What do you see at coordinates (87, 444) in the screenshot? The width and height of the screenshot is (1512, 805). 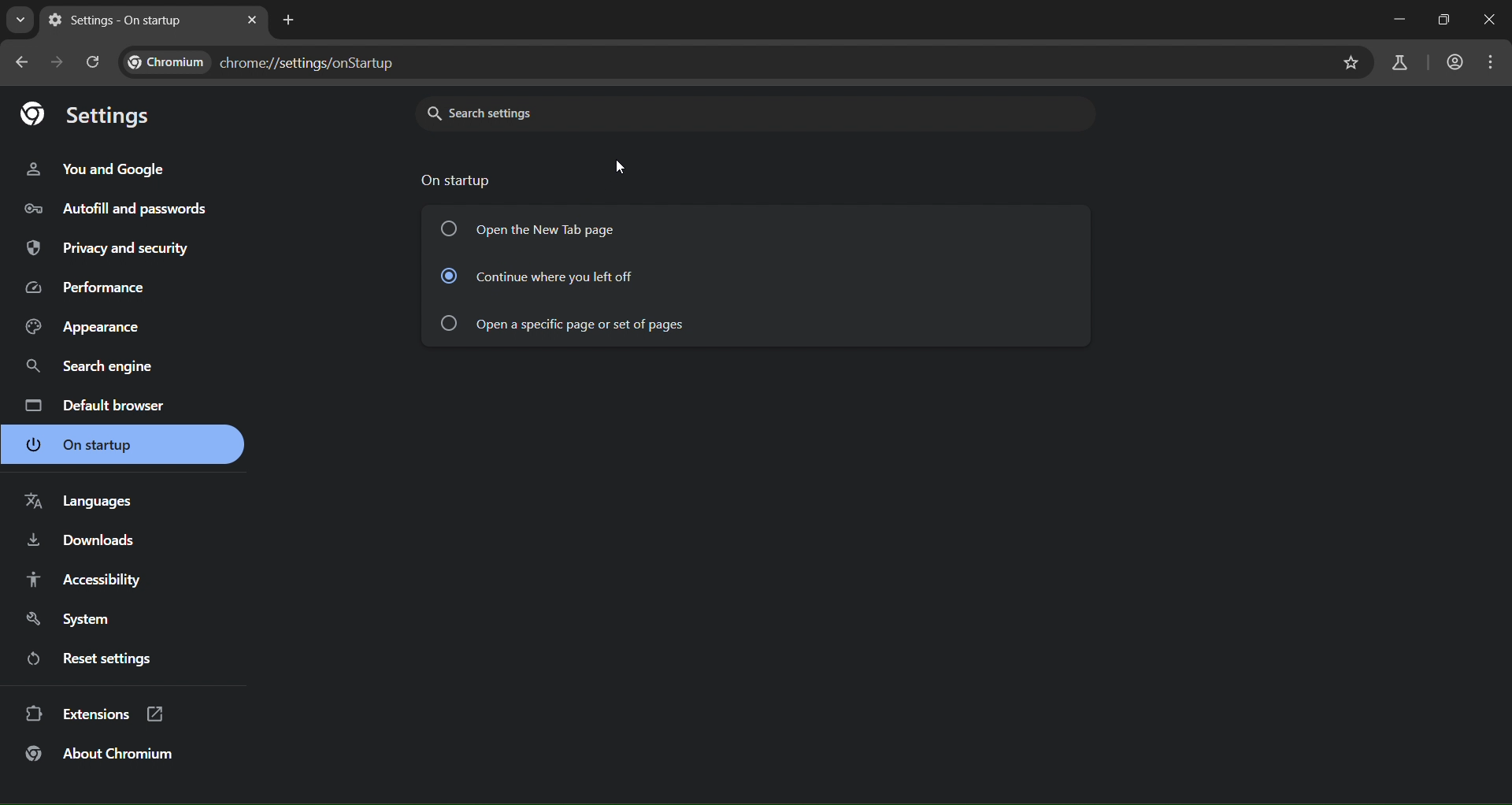 I see `on startup` at bounding box center [87, 444].